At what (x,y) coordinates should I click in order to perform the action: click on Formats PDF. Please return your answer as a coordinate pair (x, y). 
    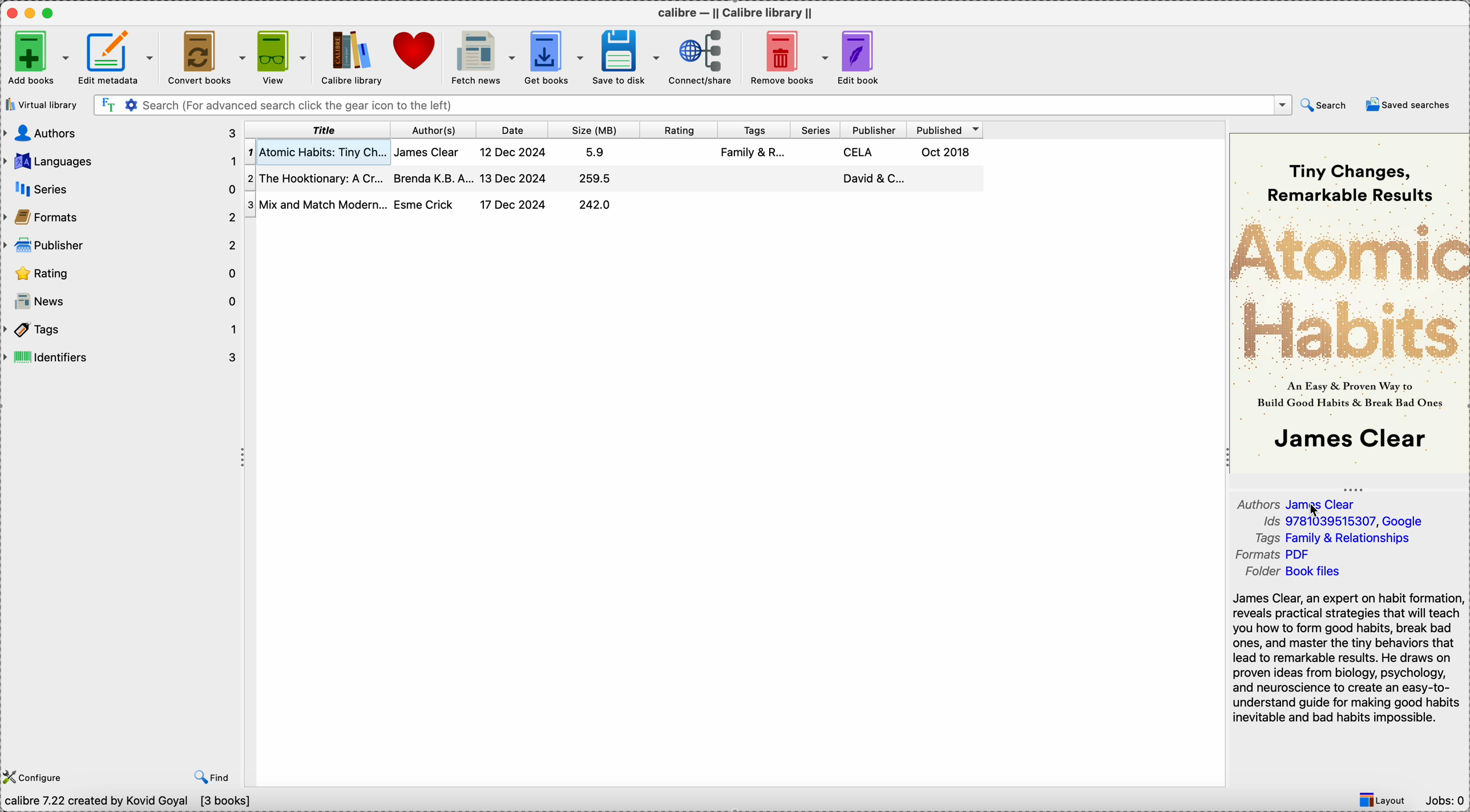
    Looking at the image, I should click on (1275, 554).